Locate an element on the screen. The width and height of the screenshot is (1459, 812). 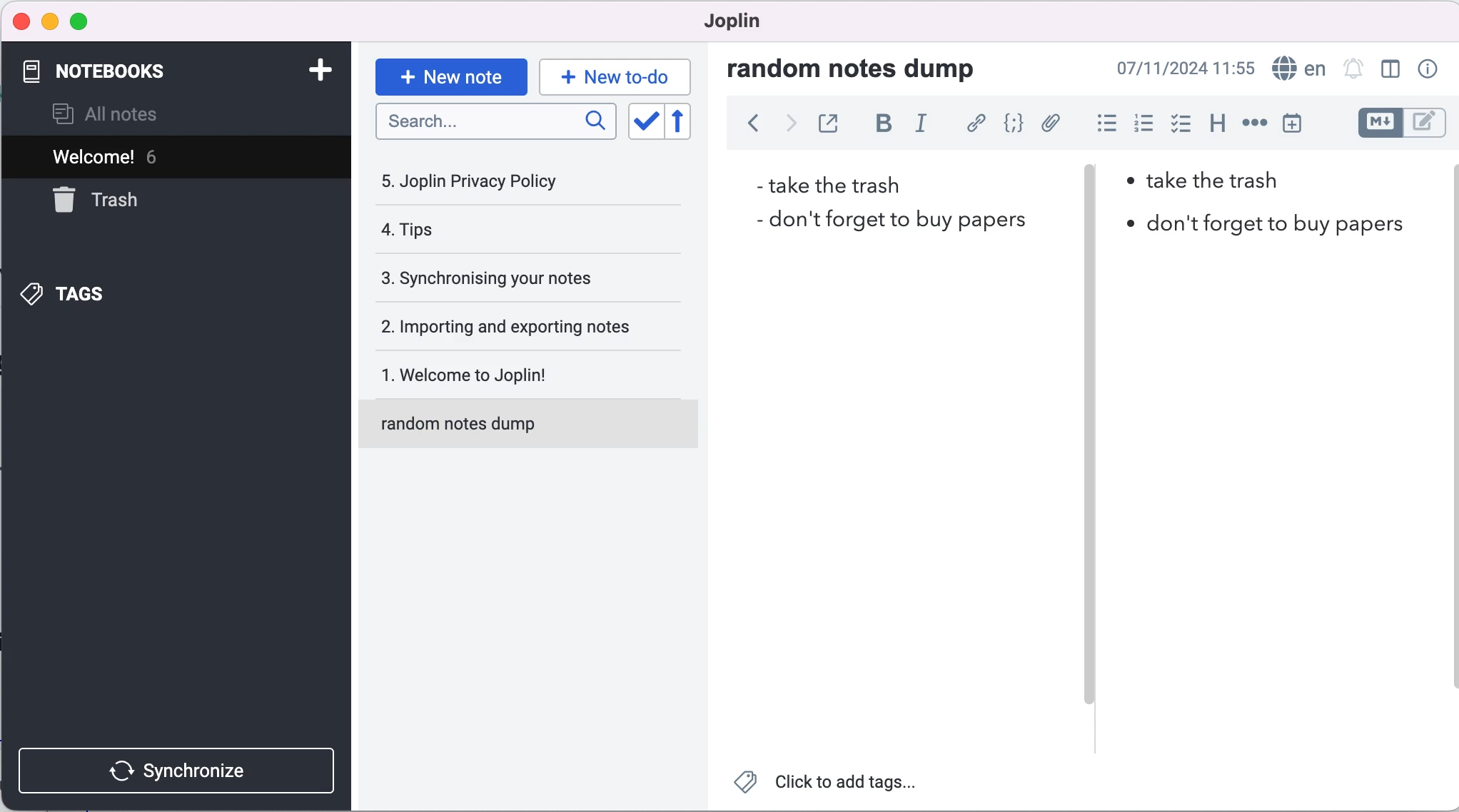
trash is located at coordinates (131, 201).